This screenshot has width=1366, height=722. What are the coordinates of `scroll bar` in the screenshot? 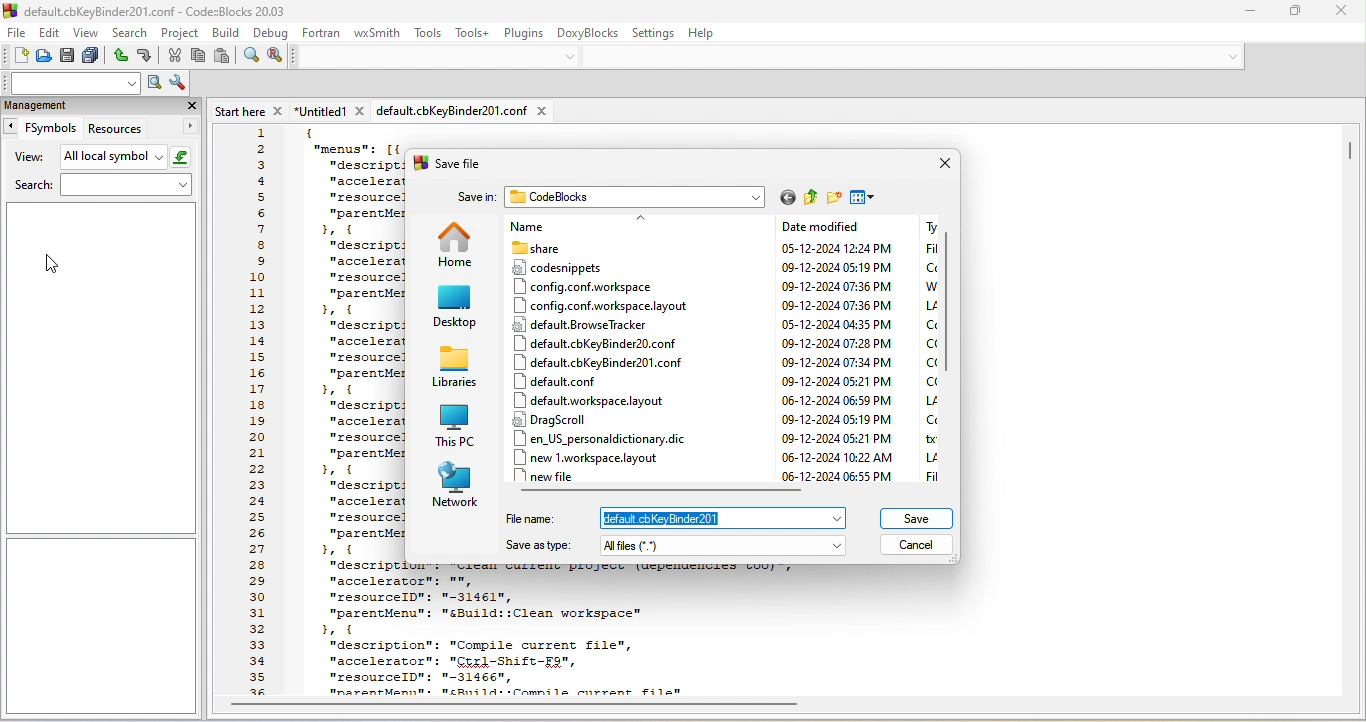 It's located at (1350, 154).